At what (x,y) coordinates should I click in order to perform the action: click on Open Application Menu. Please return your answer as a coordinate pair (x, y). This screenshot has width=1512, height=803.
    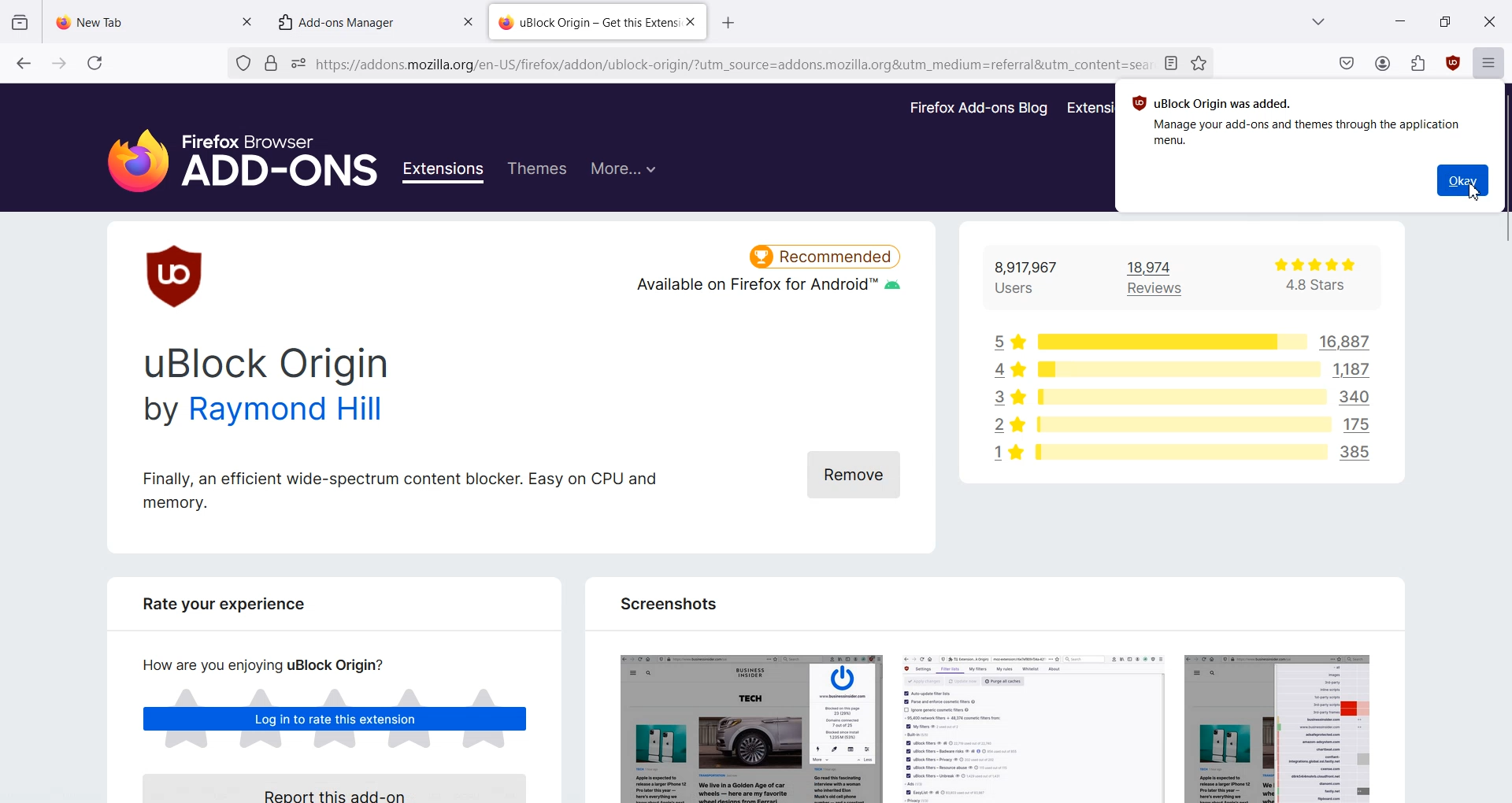
    Looking at the image, I should click on (1494, 59).